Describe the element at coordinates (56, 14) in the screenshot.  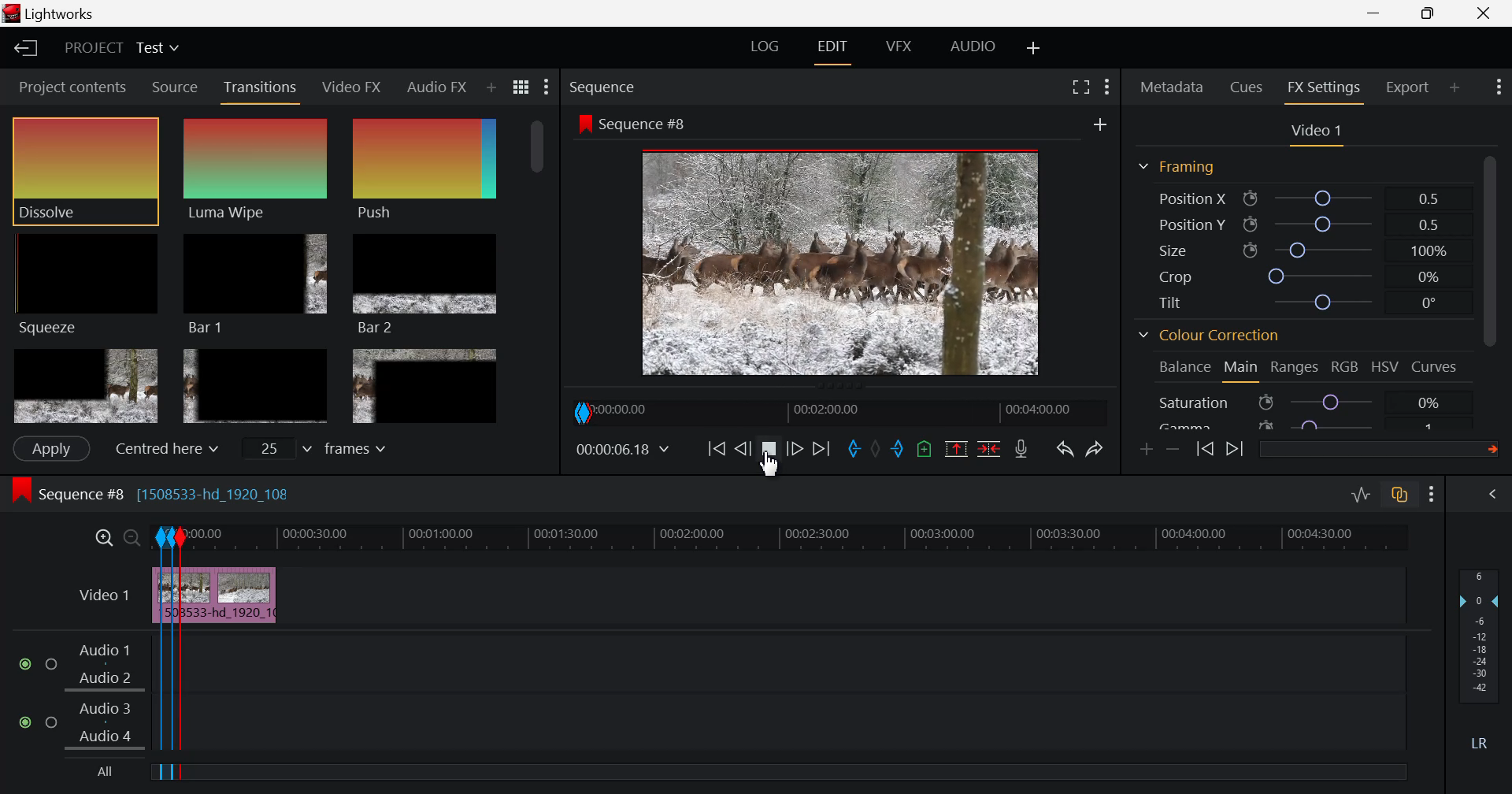
I see `Lightworks` at that location.